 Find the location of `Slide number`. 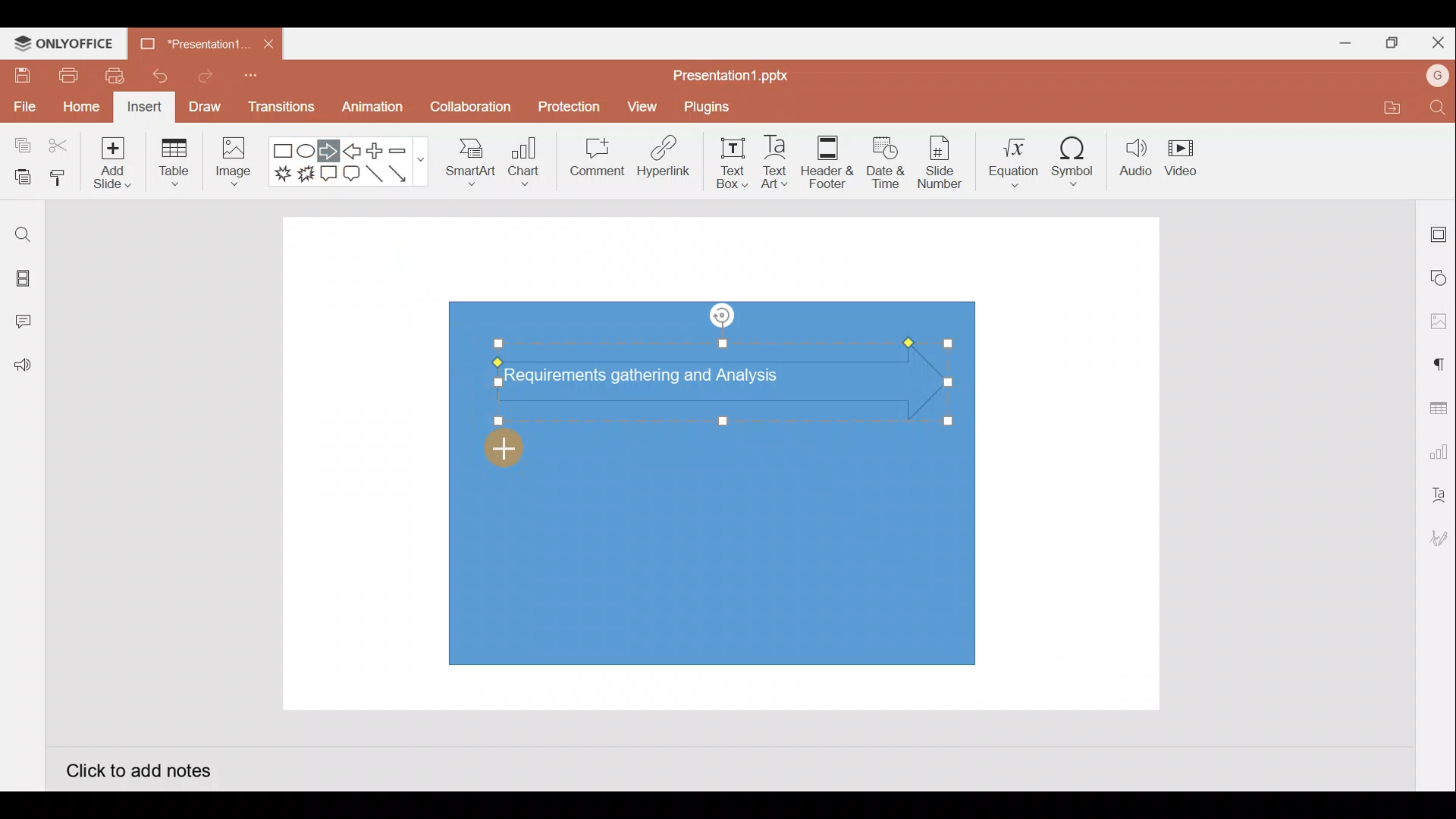

Slide number is located at coordinates (939, 162).